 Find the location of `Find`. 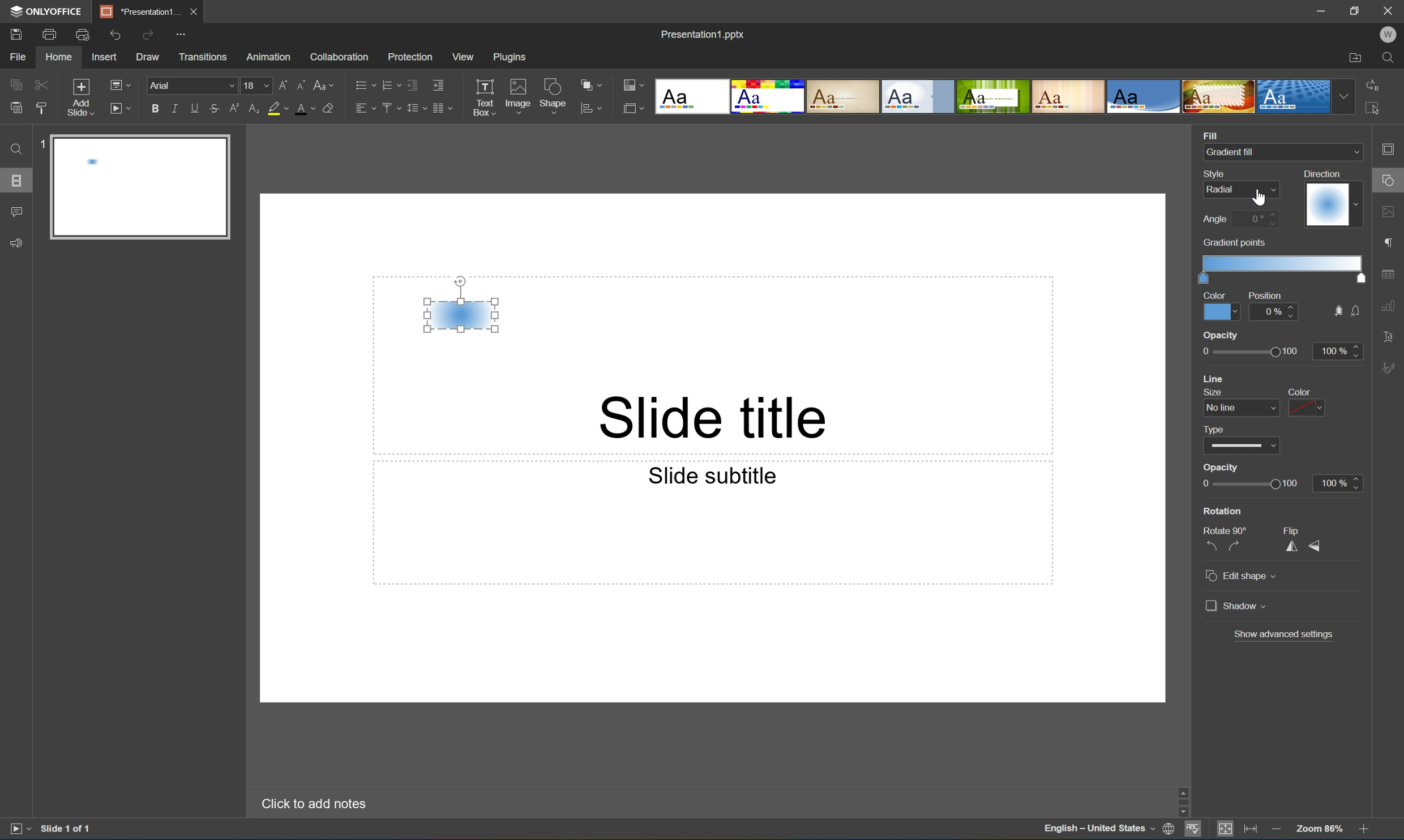

Find is located at coordinates (1393, 58).